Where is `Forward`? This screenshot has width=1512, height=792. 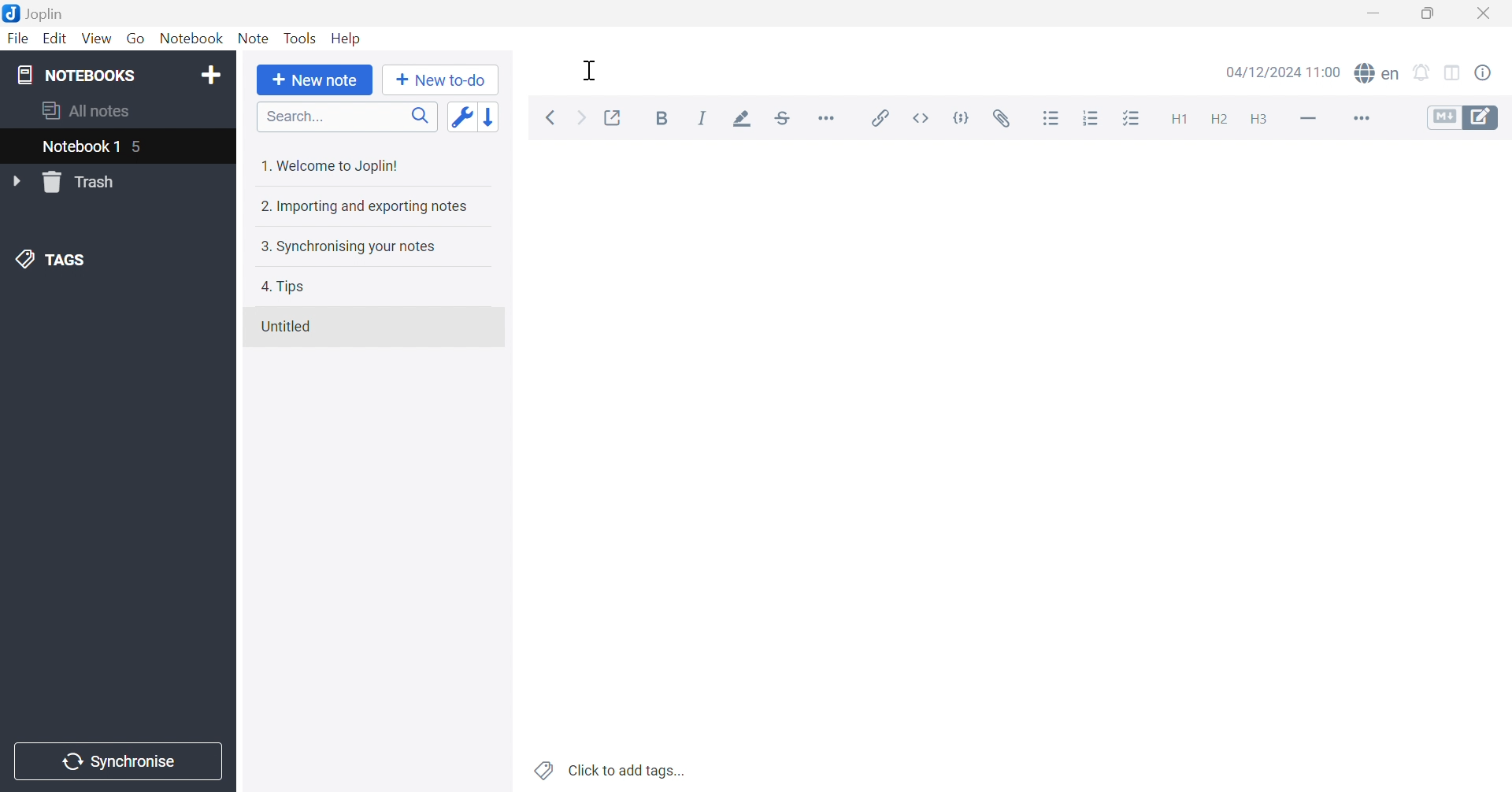
Forward is located at coordinates (580, 120).